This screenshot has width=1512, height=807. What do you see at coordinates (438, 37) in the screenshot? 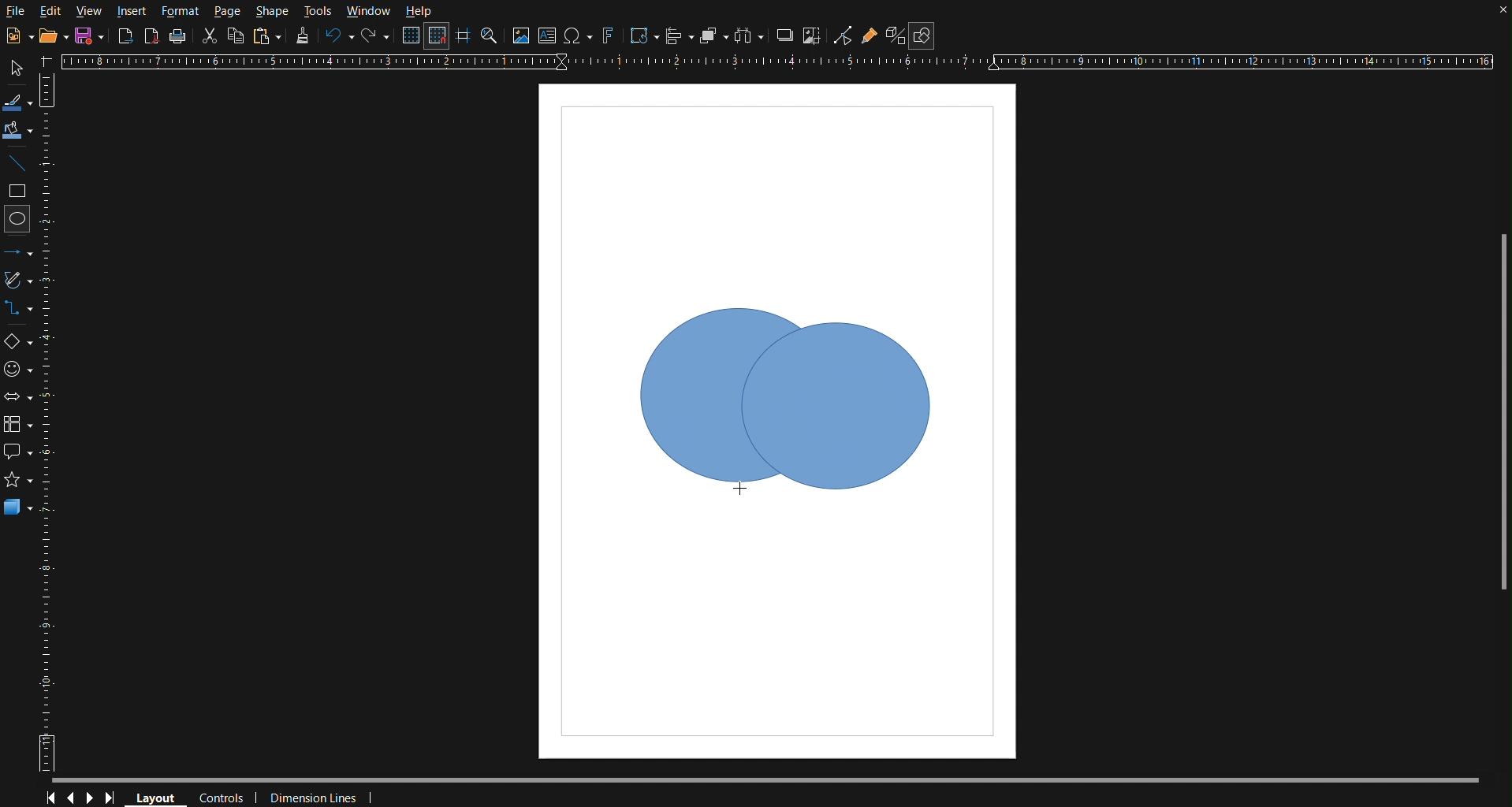
I see `Snap to Grid` at bounding box center [438, 37].